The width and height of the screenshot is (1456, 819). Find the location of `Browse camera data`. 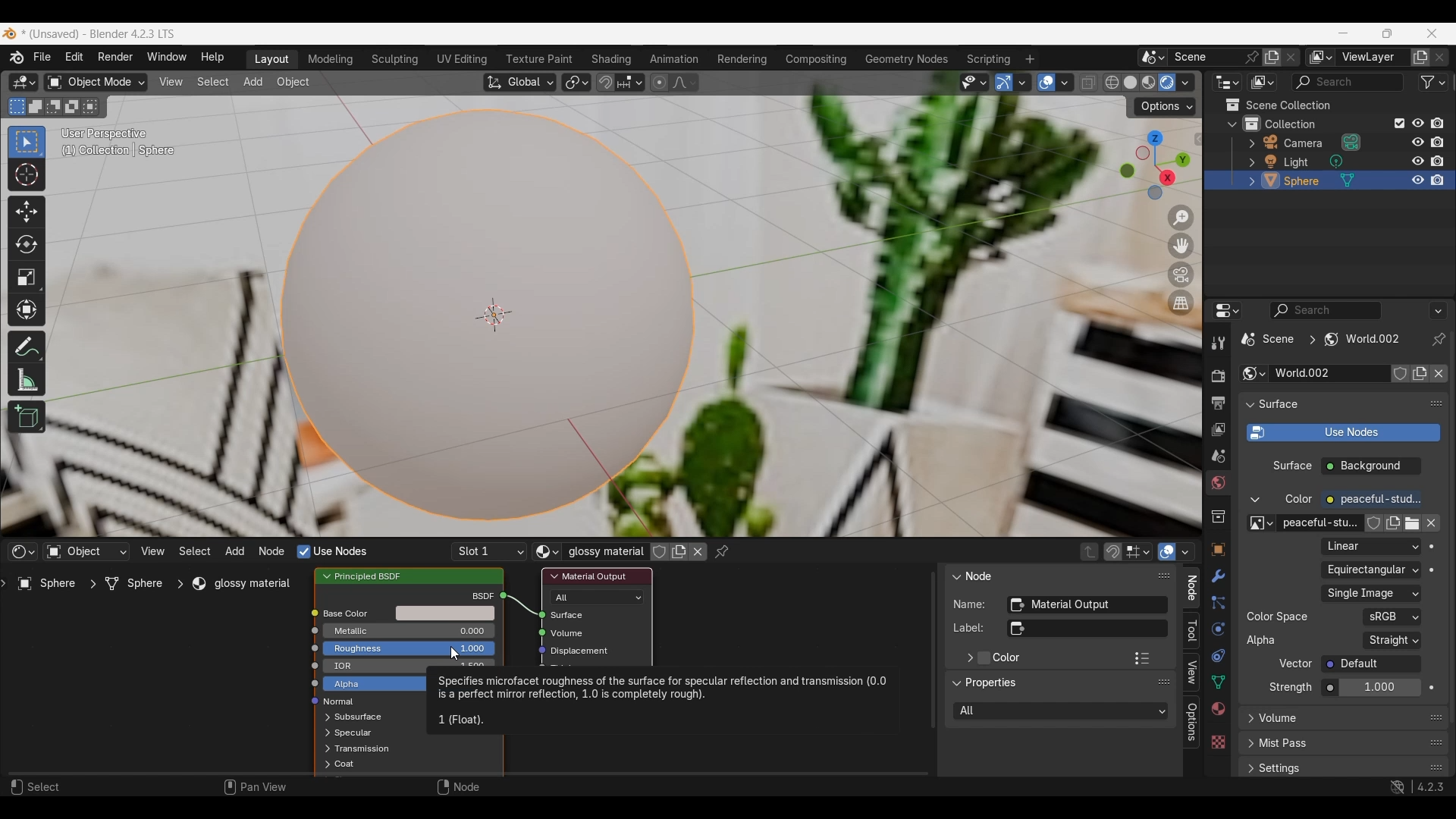

Browse camera data is located at coordinates (1351, 142).